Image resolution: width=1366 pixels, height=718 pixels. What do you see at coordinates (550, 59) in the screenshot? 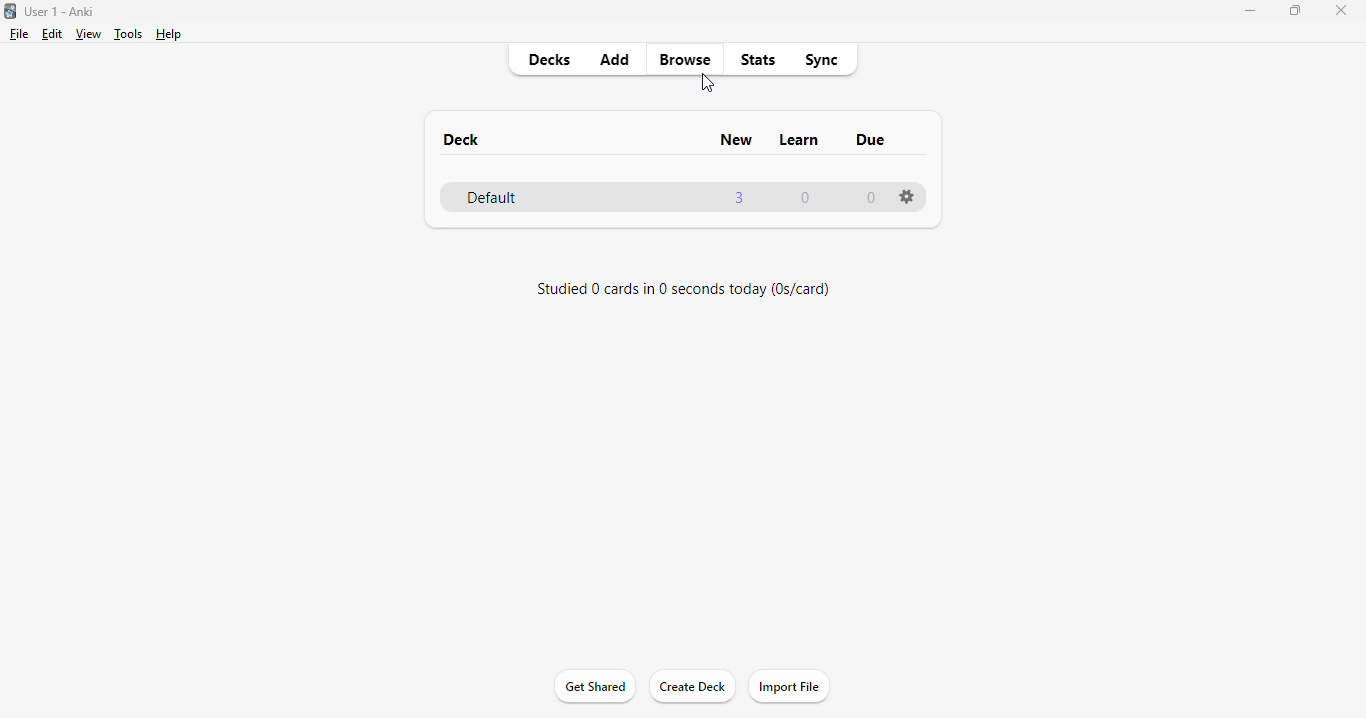
I see `decks` at bounding box center [550, 59].